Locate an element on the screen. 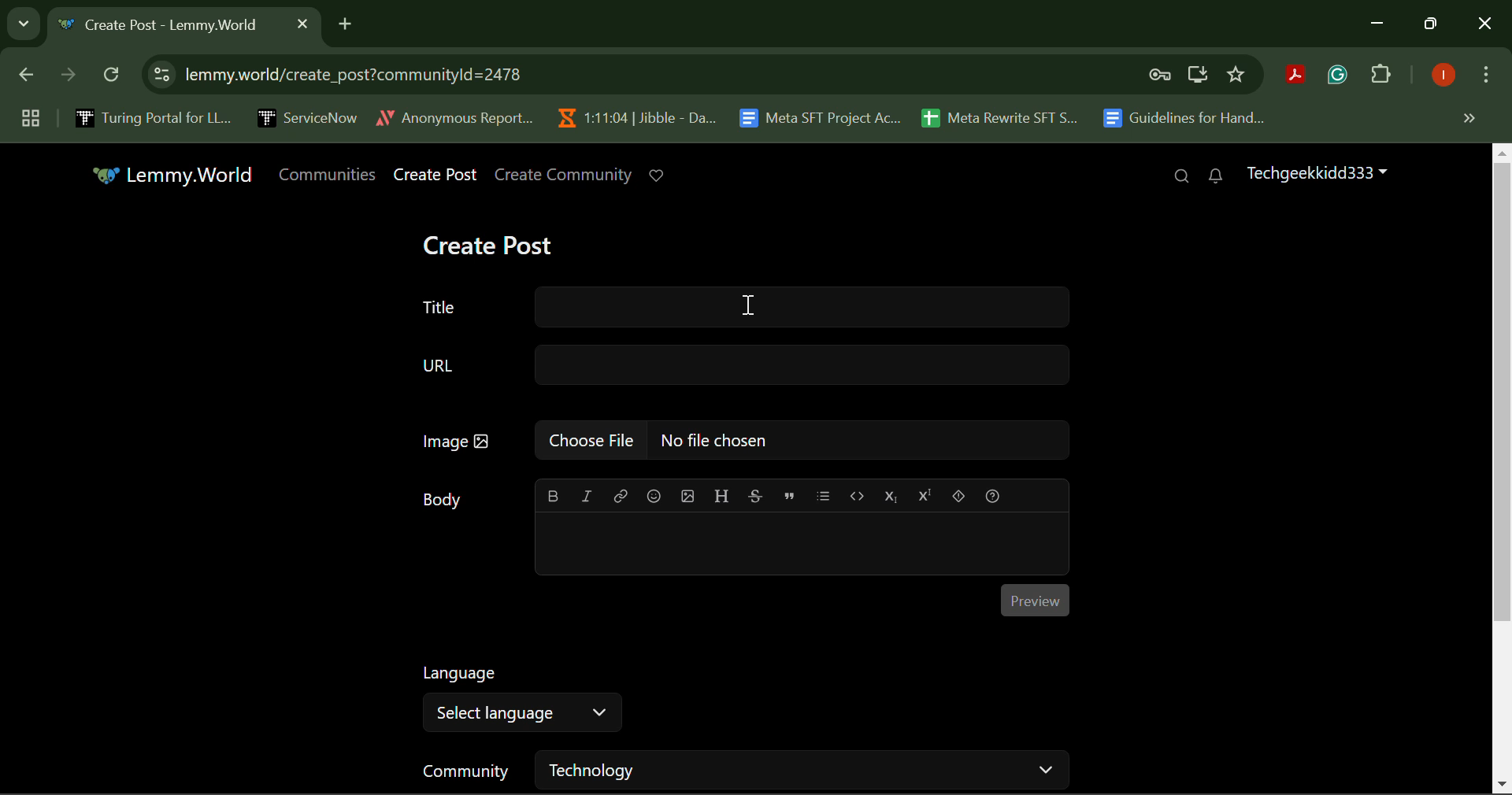  Communities is located at coordinates (331, 175).